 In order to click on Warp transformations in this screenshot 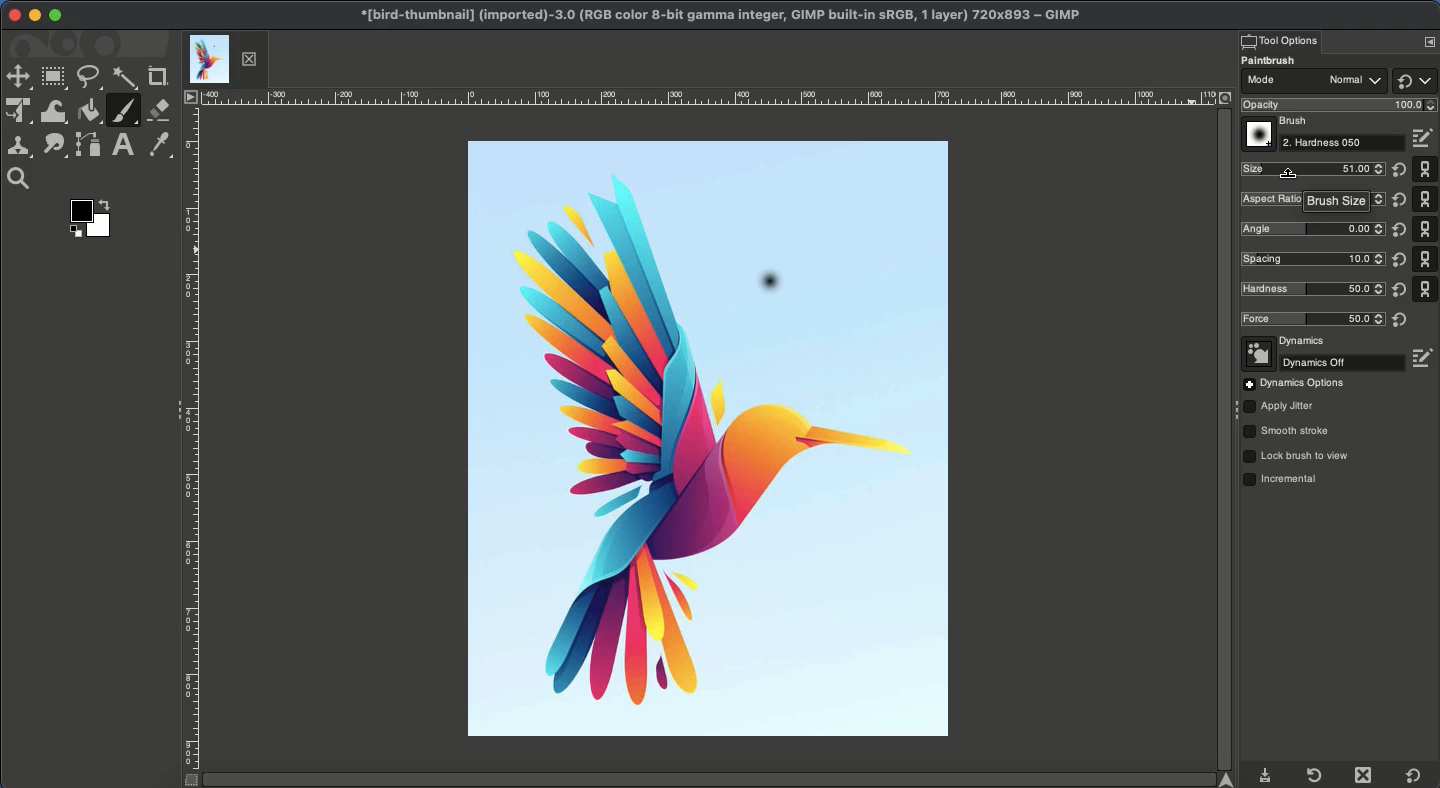, I will do `click(56, 113)`.